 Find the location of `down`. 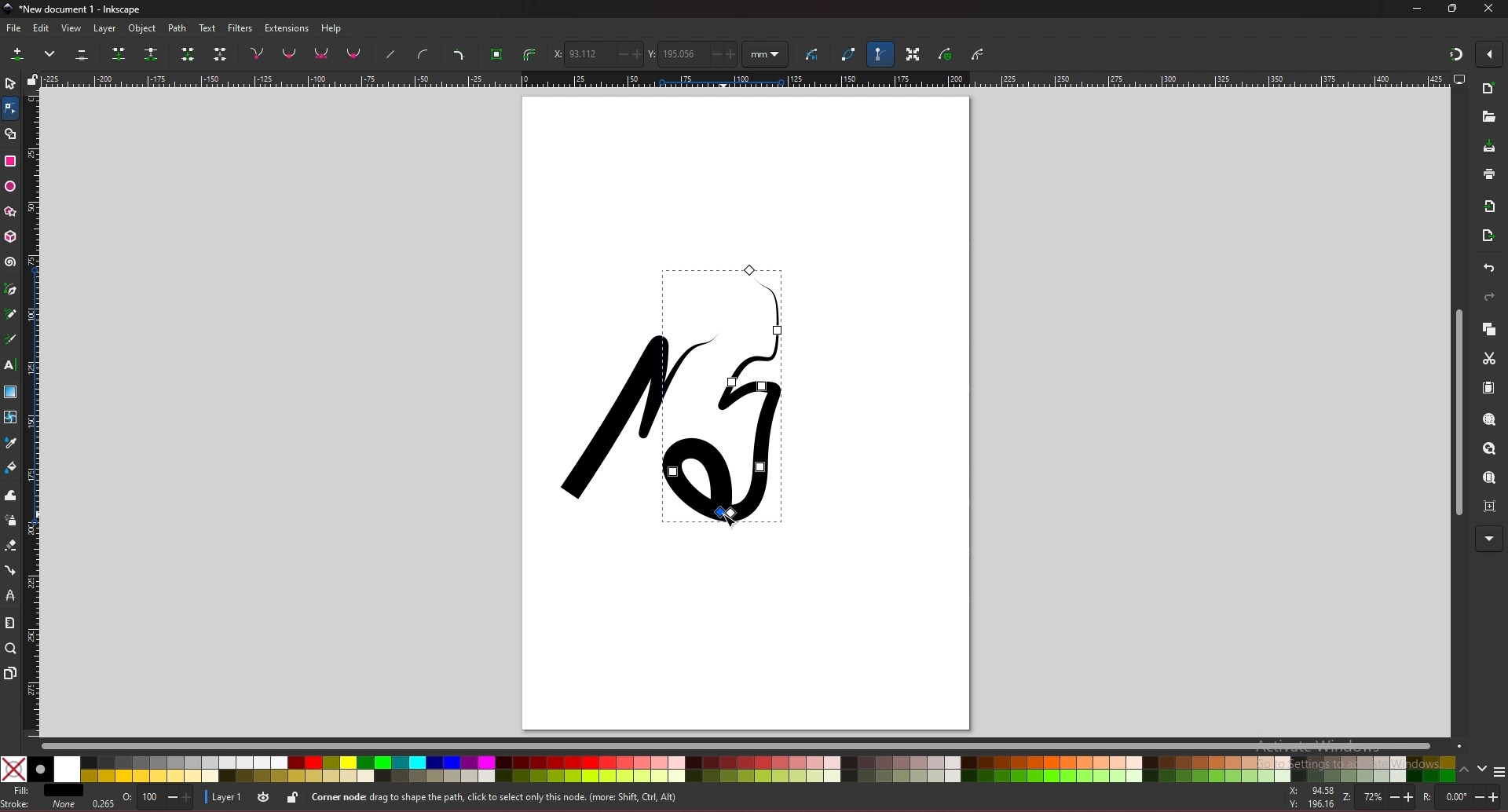

down is located at coordinates (1484, 769).